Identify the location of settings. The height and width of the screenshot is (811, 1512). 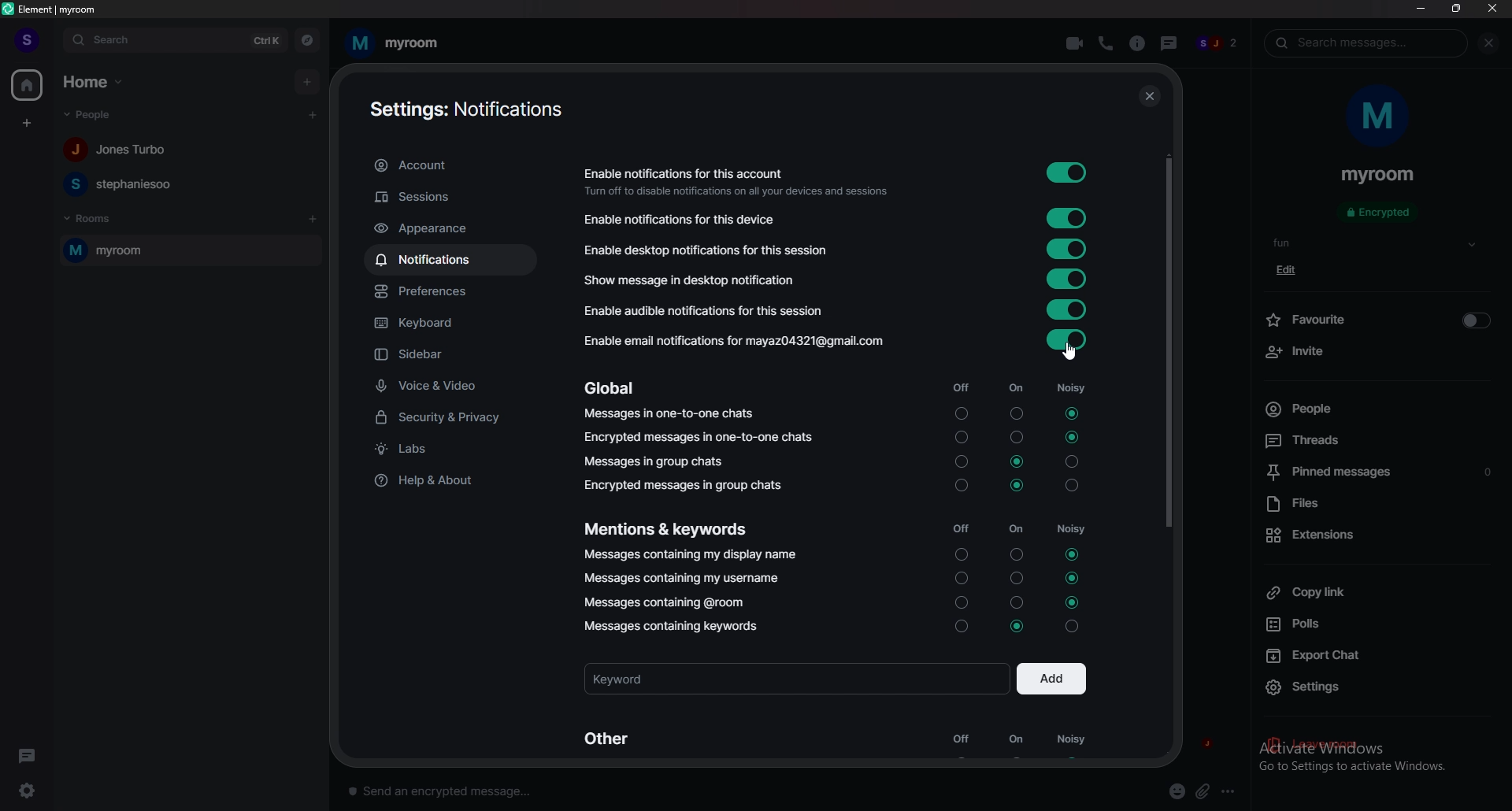
(33, 790).